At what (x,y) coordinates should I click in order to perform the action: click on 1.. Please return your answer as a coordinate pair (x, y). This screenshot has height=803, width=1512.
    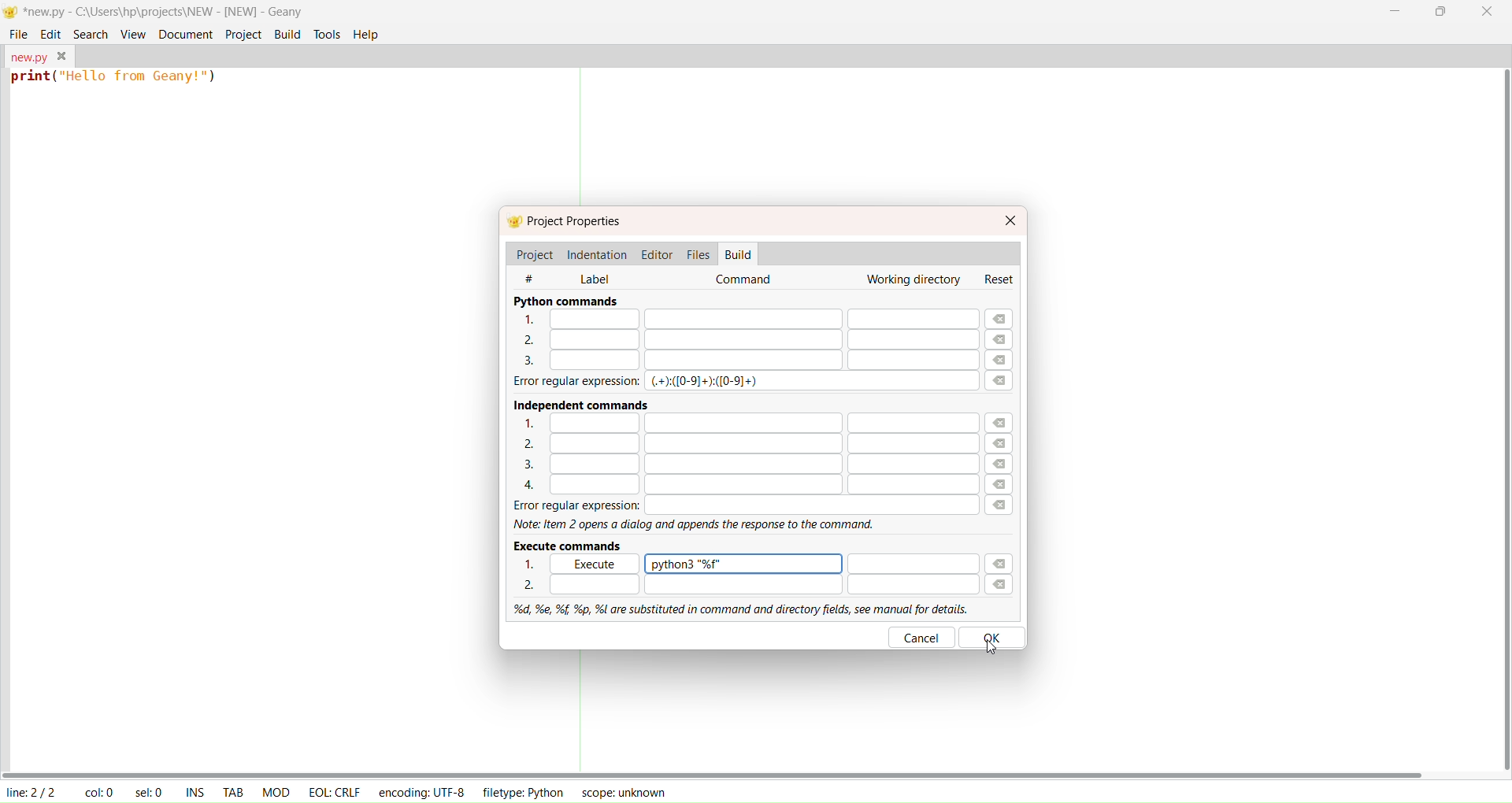
    Looking at the image, I should click on (535, 565).